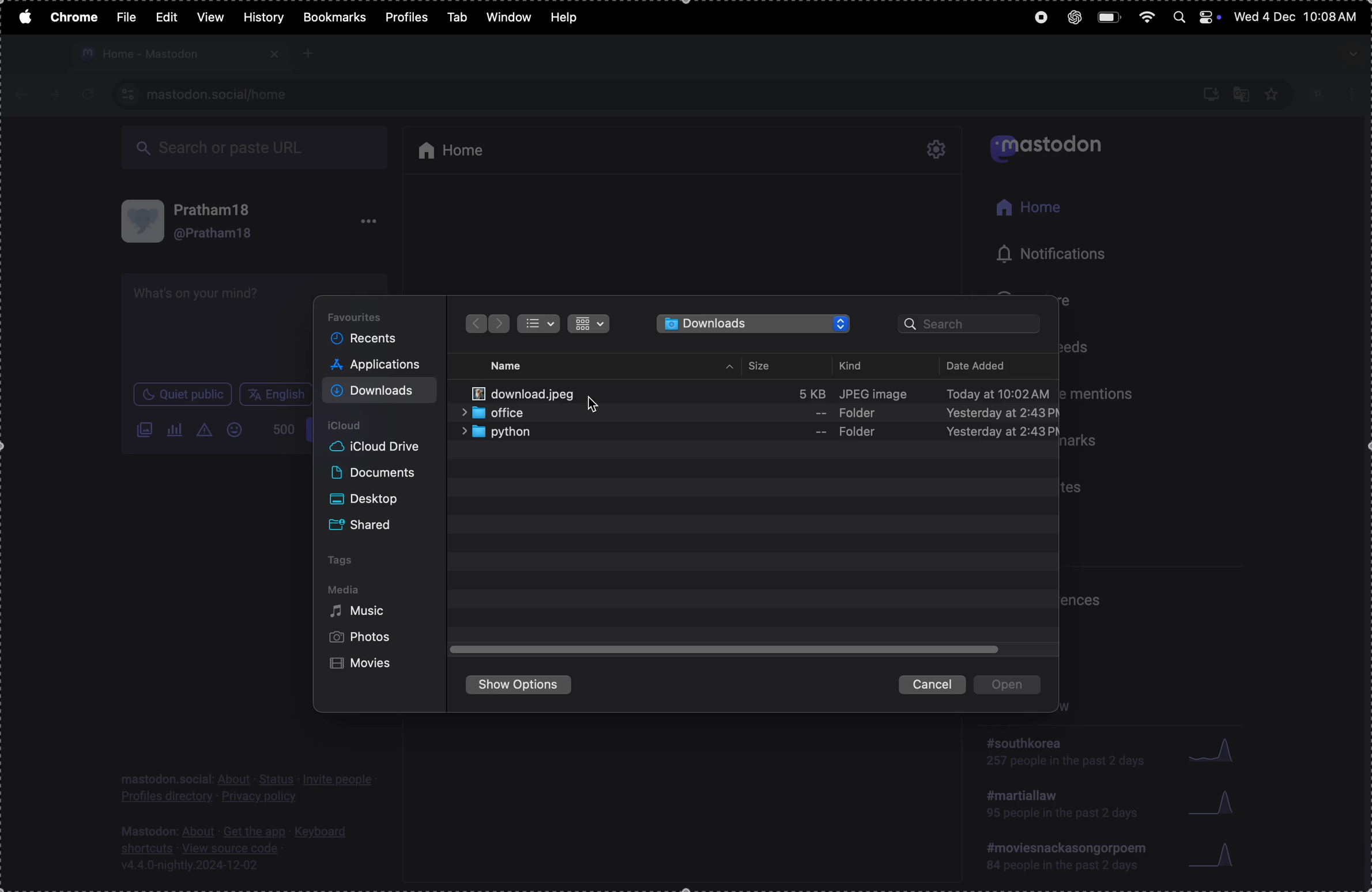  What do you see at coordinates (760, 413) in the screenshot?
I see `office folder` at bounding box center [760, 413].